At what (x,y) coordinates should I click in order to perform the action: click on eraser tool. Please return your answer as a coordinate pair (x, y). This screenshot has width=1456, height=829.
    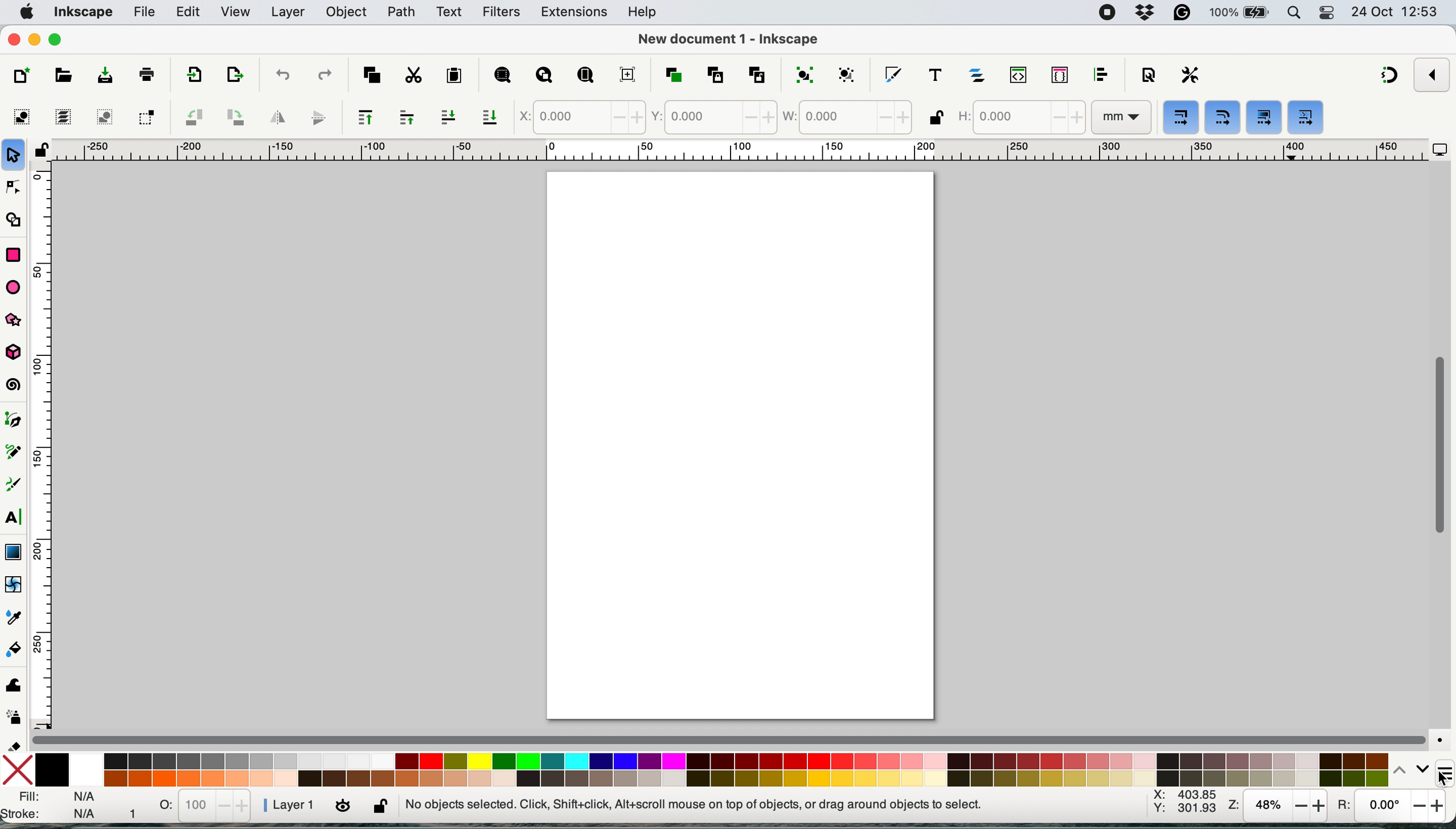
    Looking at the image, I should click on (15, 742).